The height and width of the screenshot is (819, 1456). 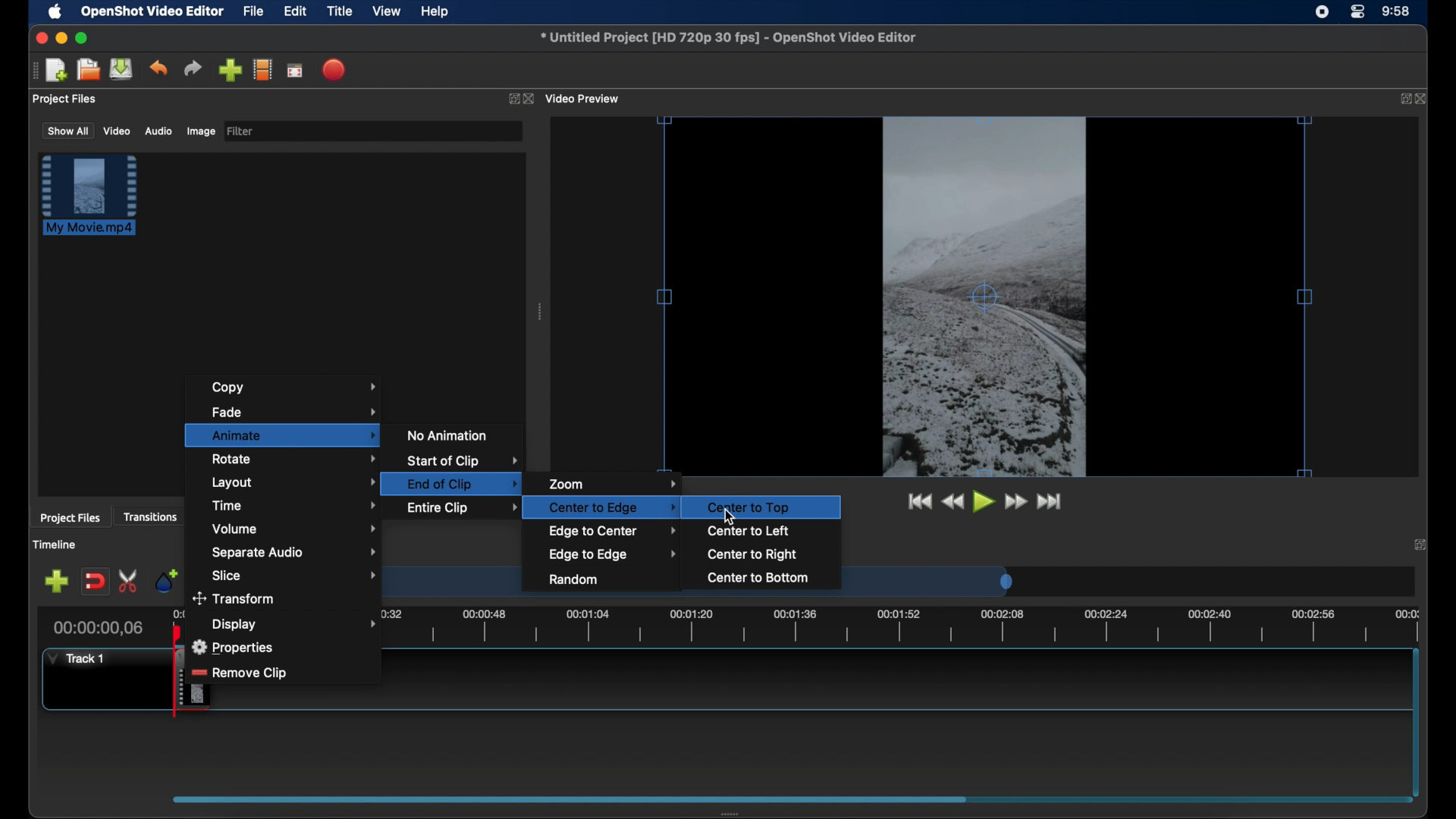 What do you see at coordinates (295, 410) in the screenshot?
I see `fade menu` at bounding box center [295, 410].